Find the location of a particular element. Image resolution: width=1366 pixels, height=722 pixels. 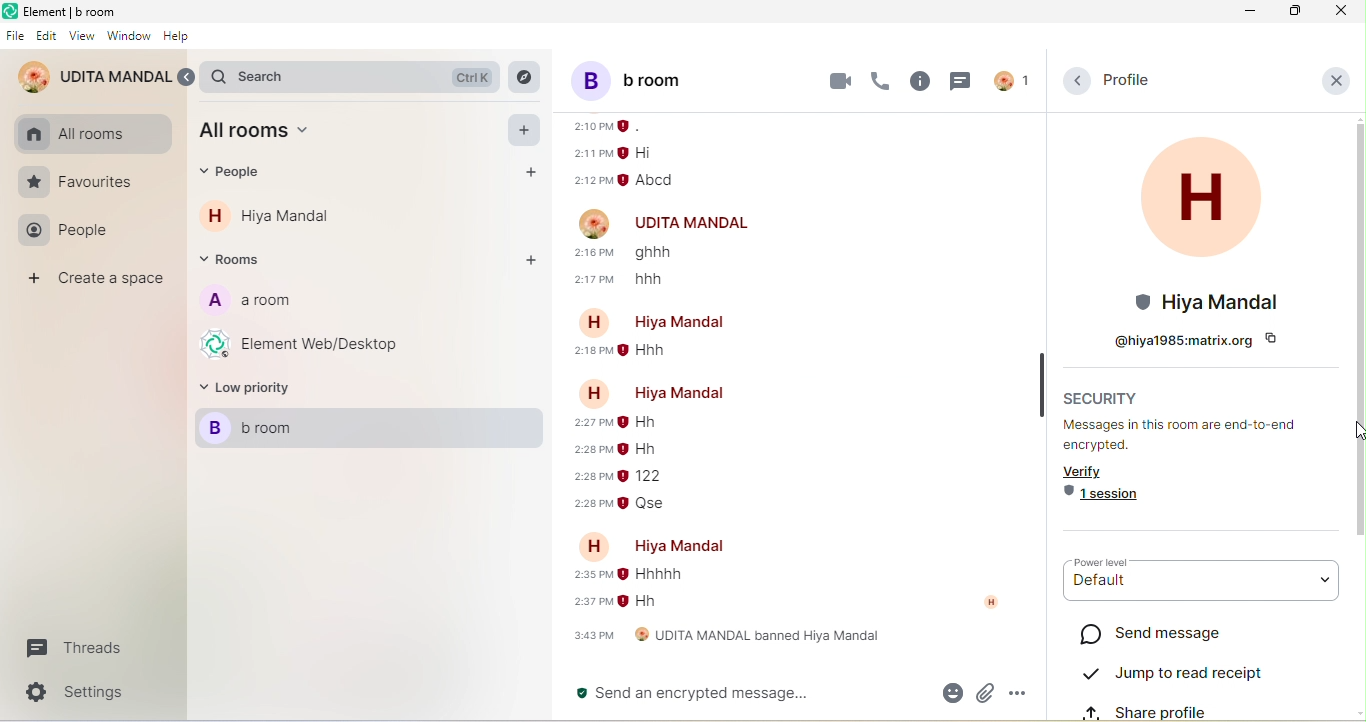

send message is located at coordinates (1150, 633).